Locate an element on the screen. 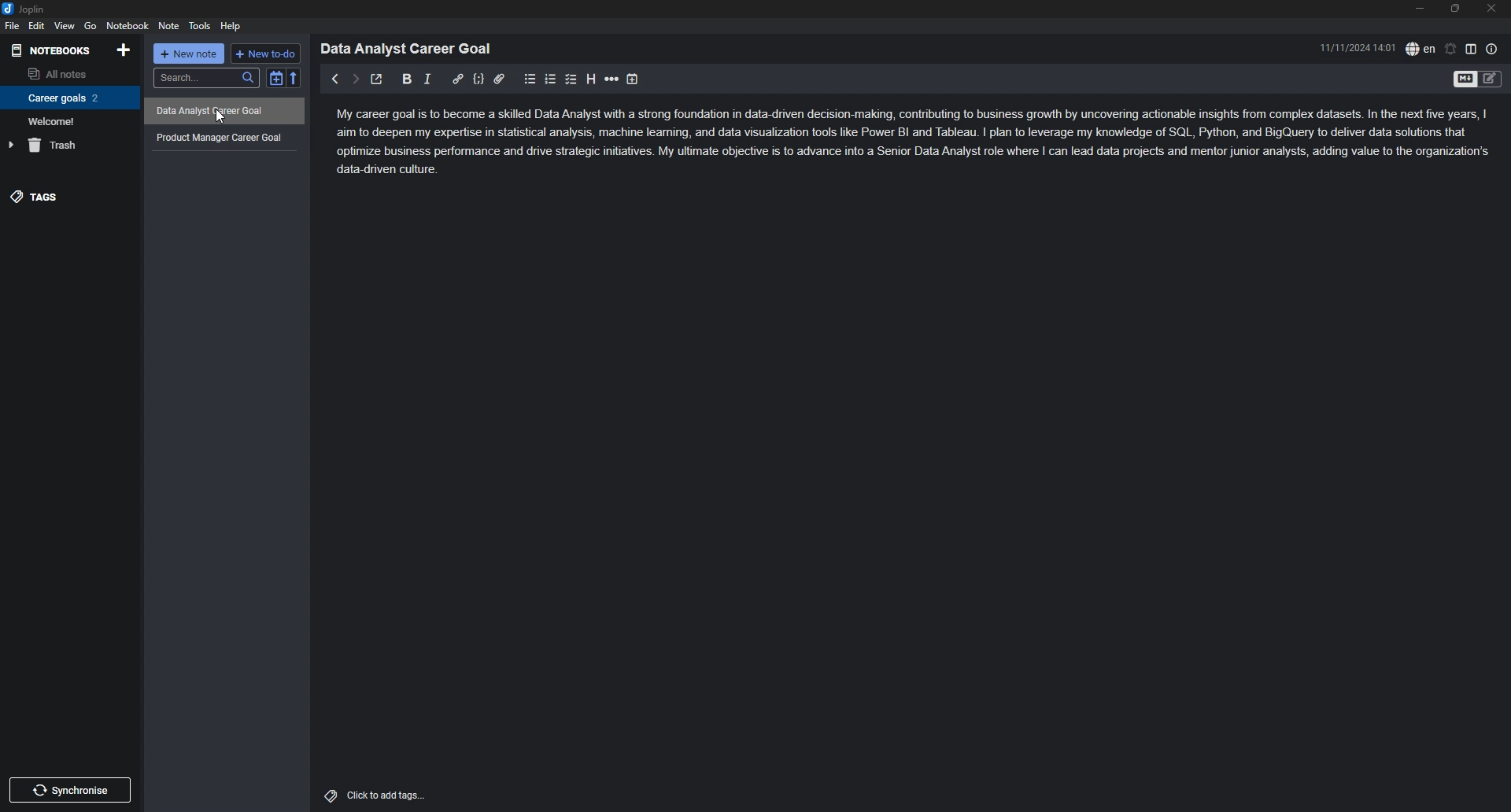  all notes is located at coordinates (67, 72).